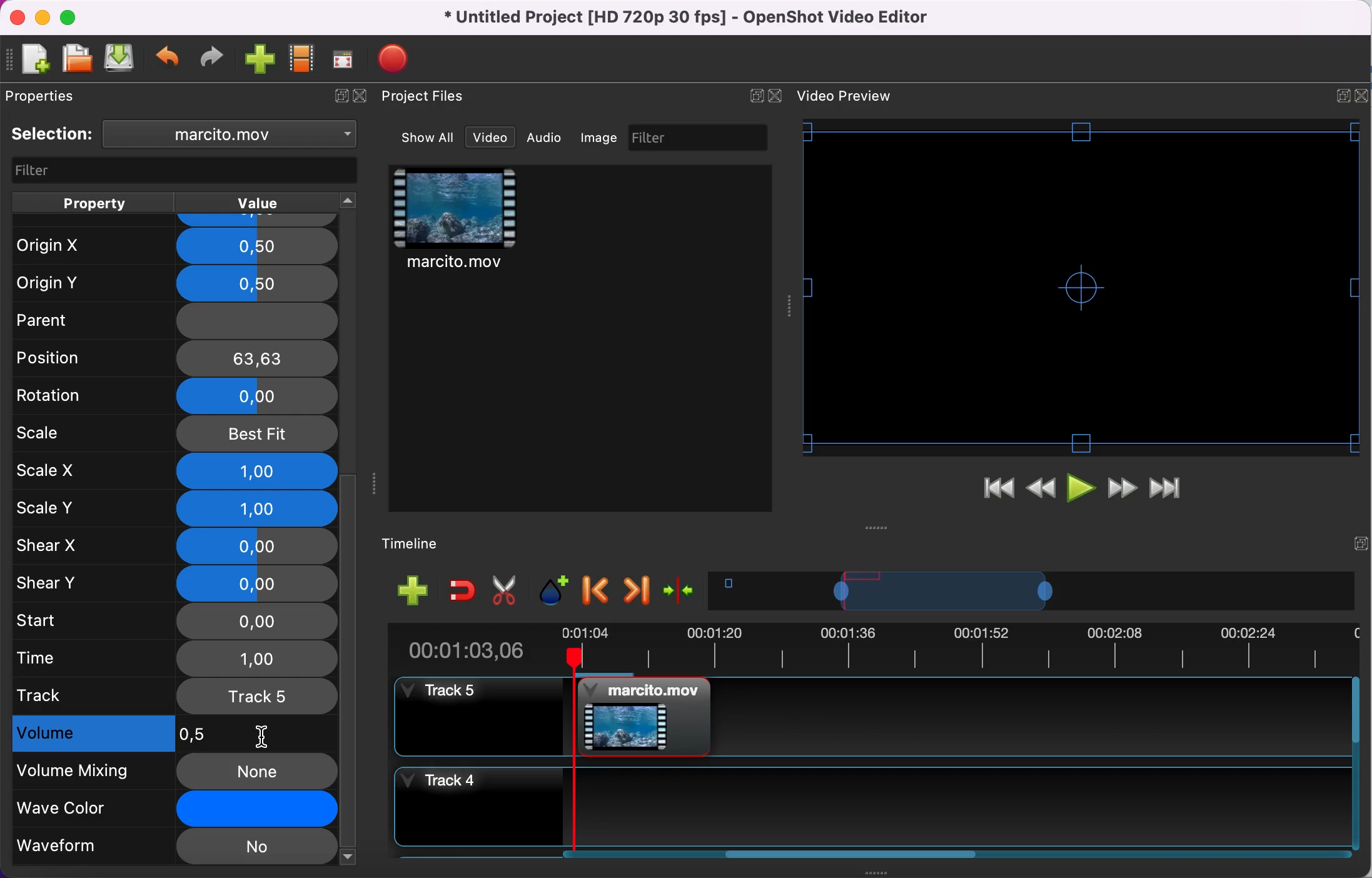  Describe the element at coordinates (174, 848) in the screenshot. I see `wave form no` at that location.